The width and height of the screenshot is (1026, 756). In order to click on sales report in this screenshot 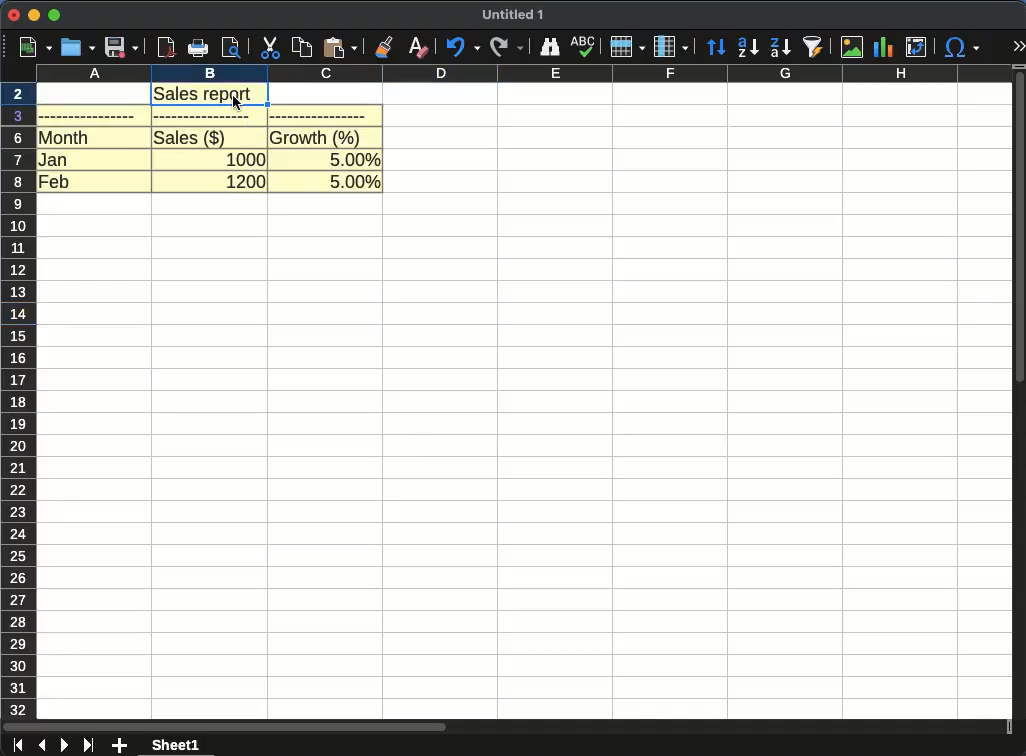, I will do `click(213, 94)`.